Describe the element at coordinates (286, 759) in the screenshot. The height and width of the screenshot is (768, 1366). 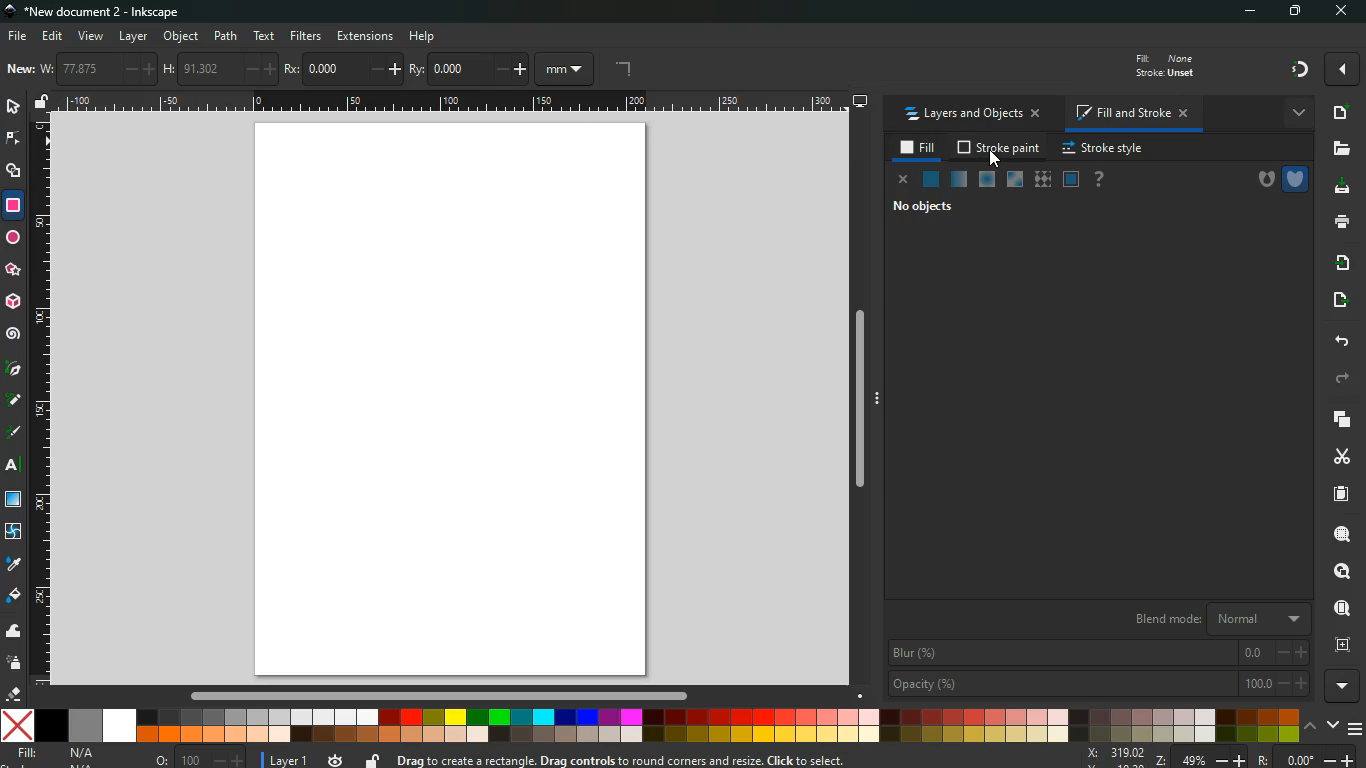
I see `layer` at that location.